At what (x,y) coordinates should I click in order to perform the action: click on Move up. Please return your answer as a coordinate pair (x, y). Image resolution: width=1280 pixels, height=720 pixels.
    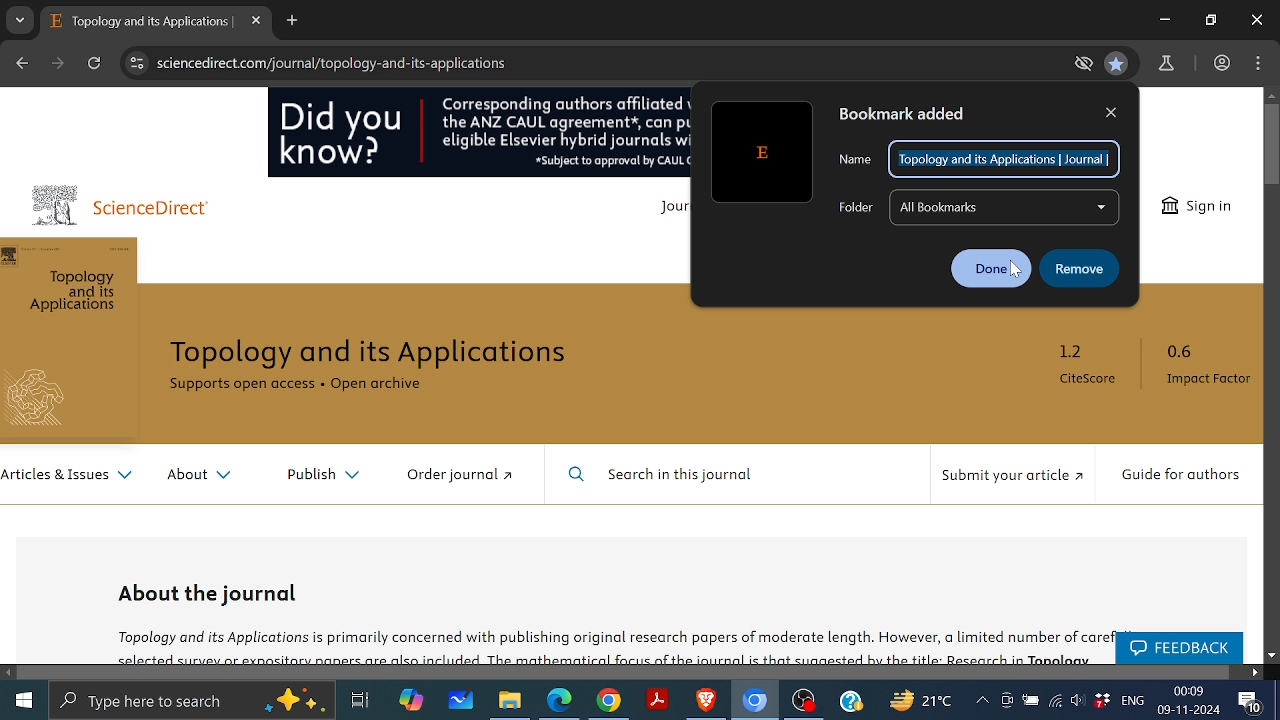
    Looking at the image, I should click on (1272, 96).